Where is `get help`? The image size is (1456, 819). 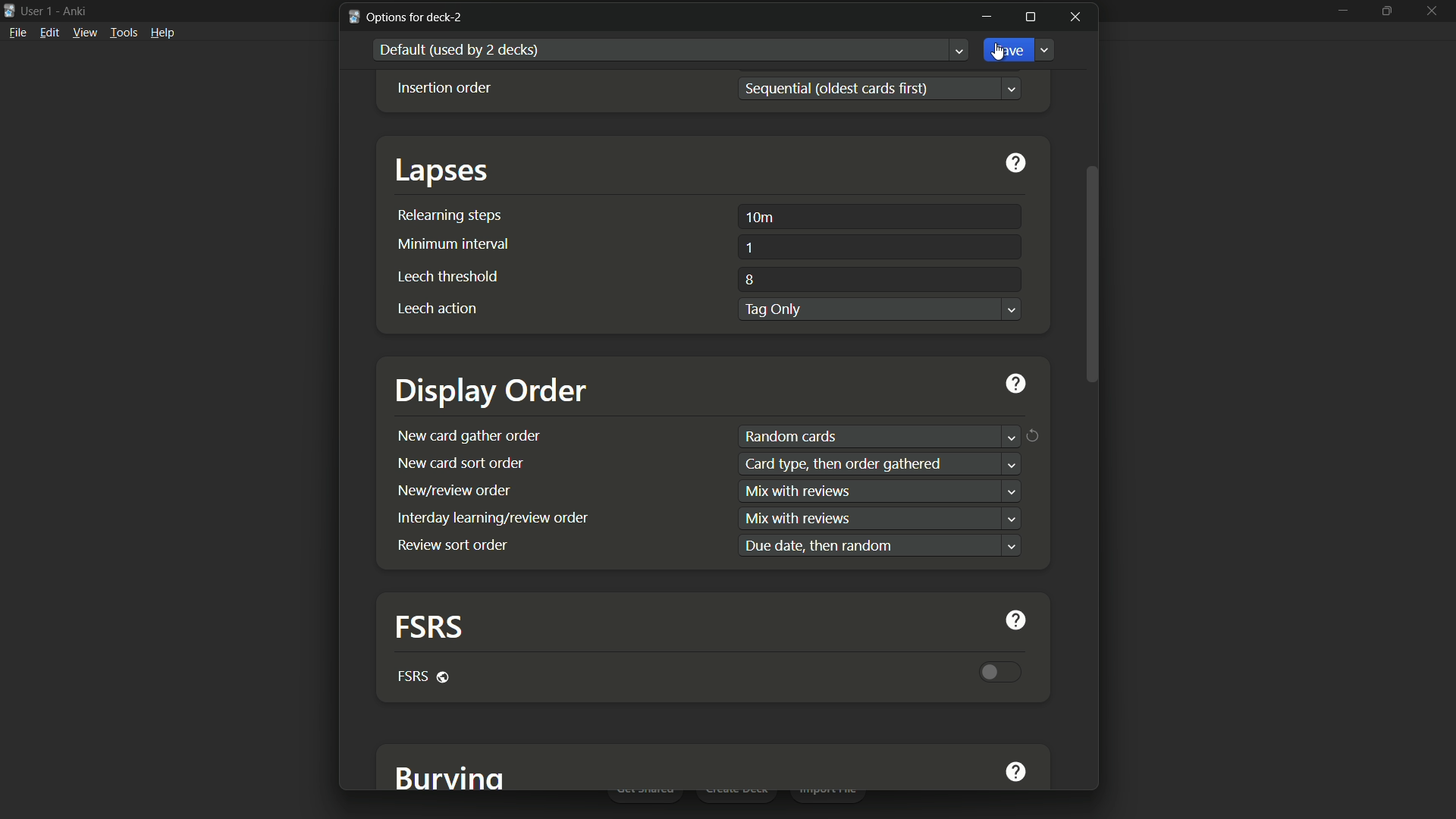 get help is located at coordinates (1018, 382).